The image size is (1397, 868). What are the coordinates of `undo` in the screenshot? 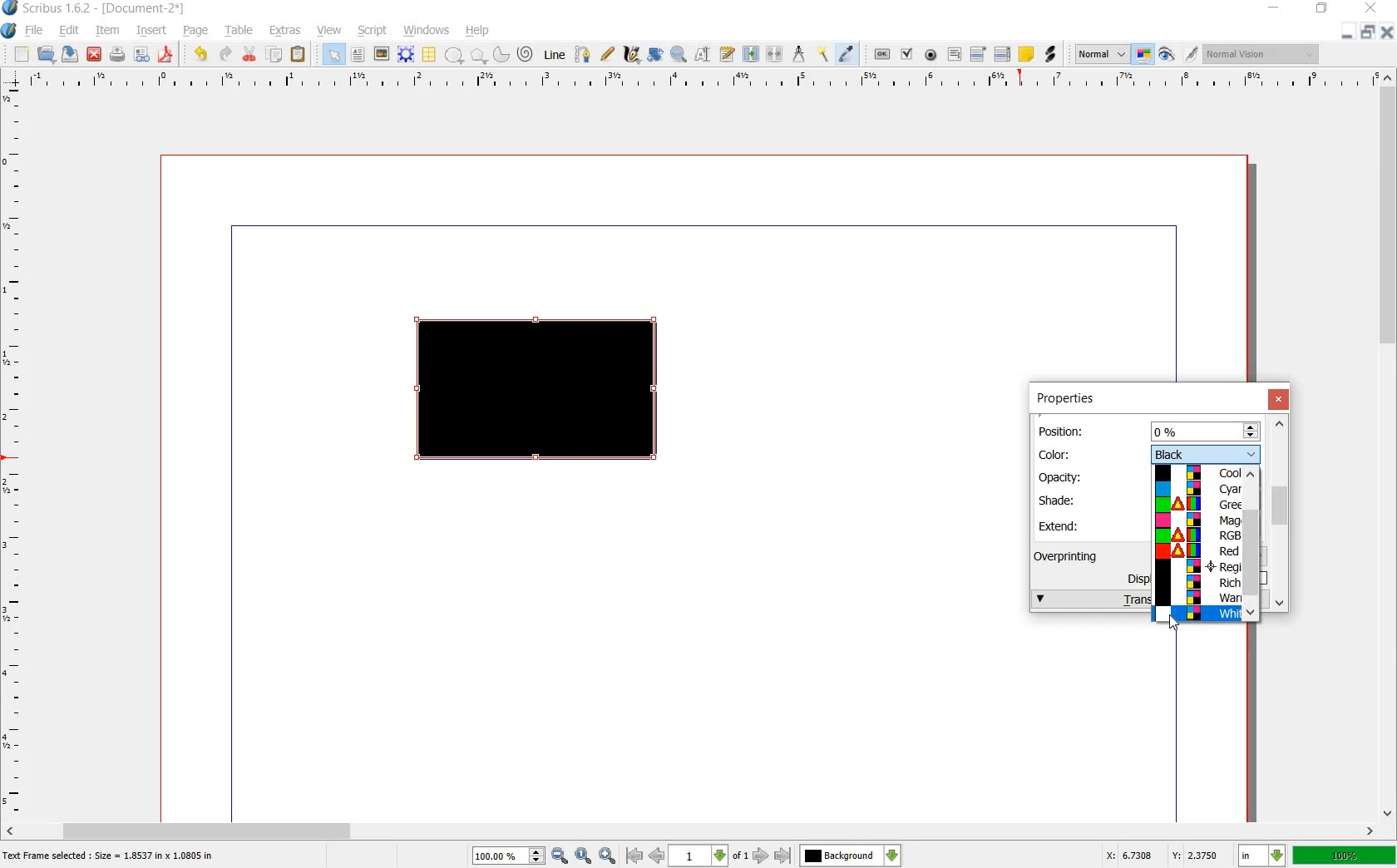 It's located at (203, 55).